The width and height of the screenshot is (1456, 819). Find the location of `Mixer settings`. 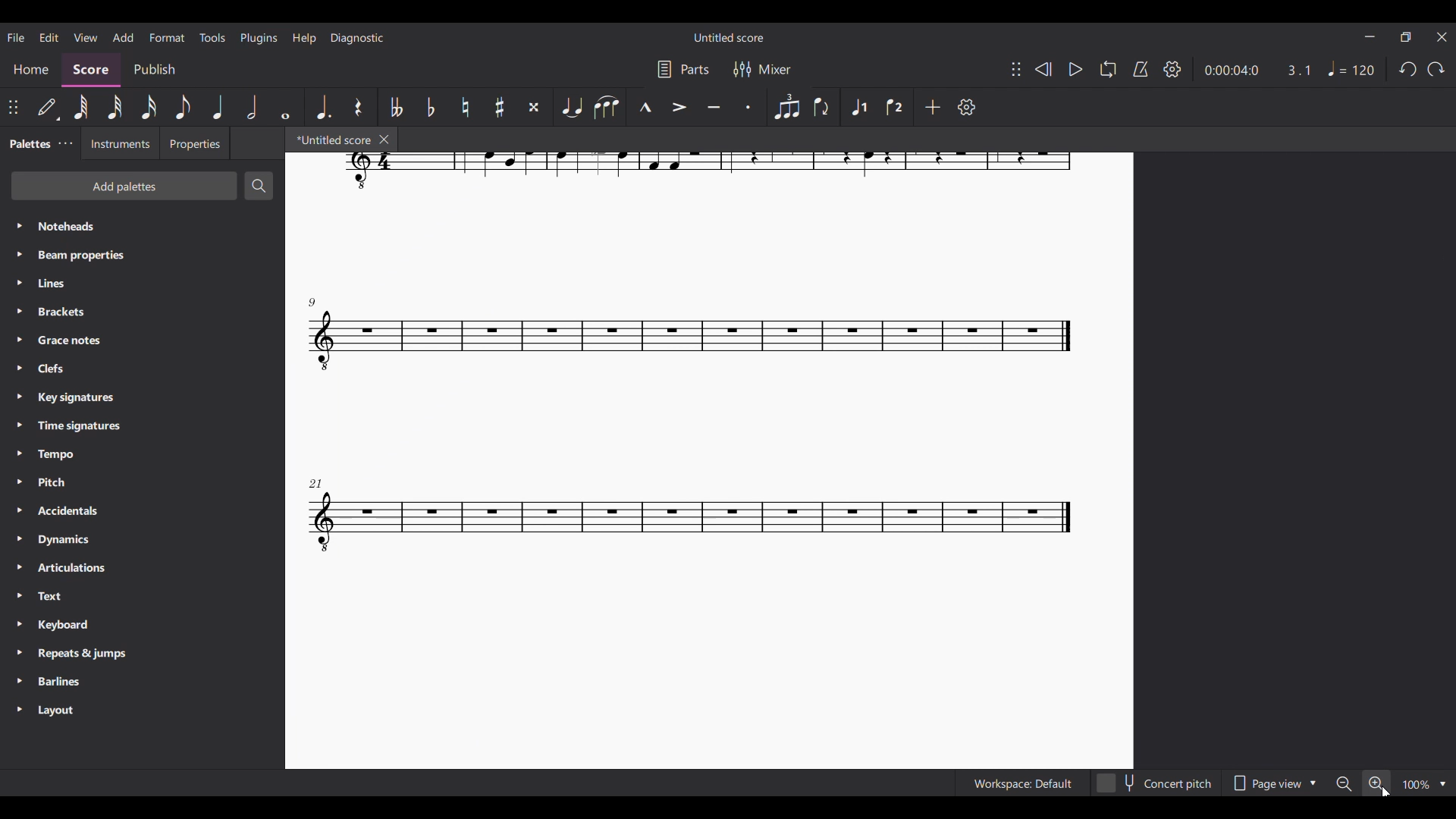

Mixer settings is located at coordinates (763, 69).